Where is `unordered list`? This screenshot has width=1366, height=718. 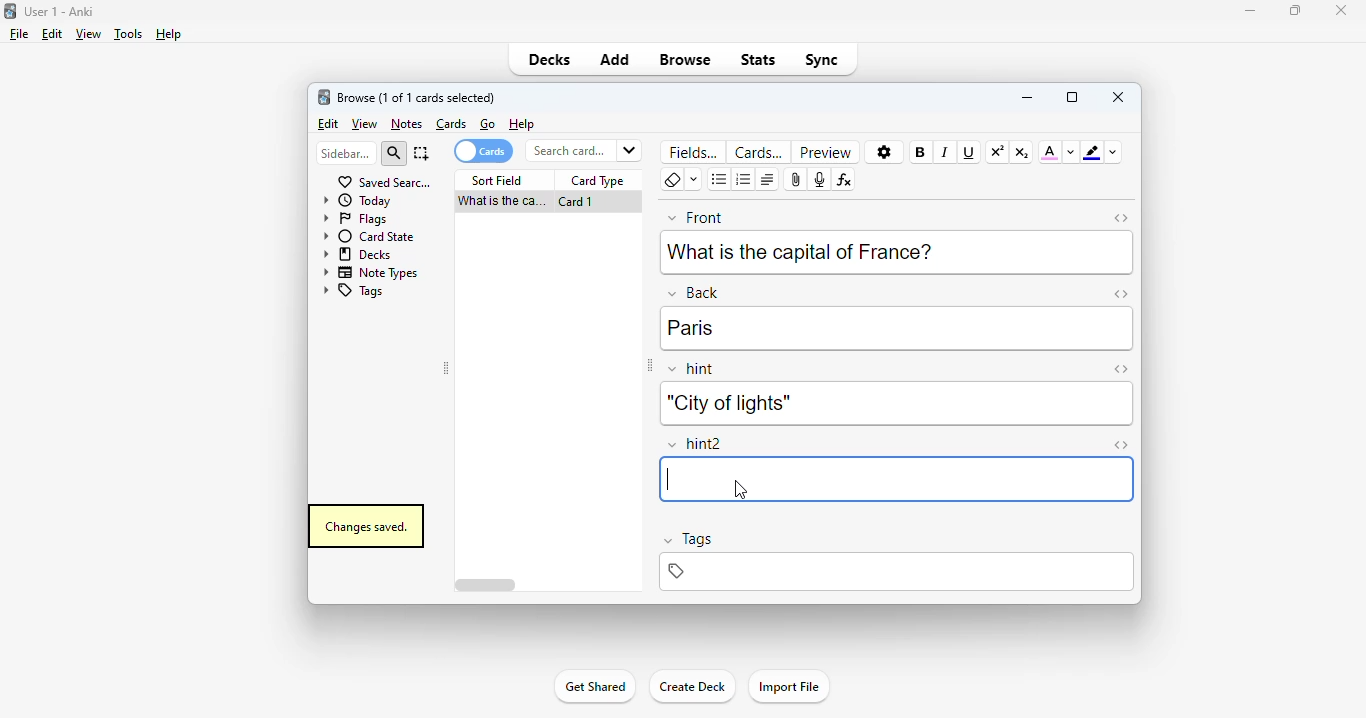 unordered list is located at coordinates (720, 180).